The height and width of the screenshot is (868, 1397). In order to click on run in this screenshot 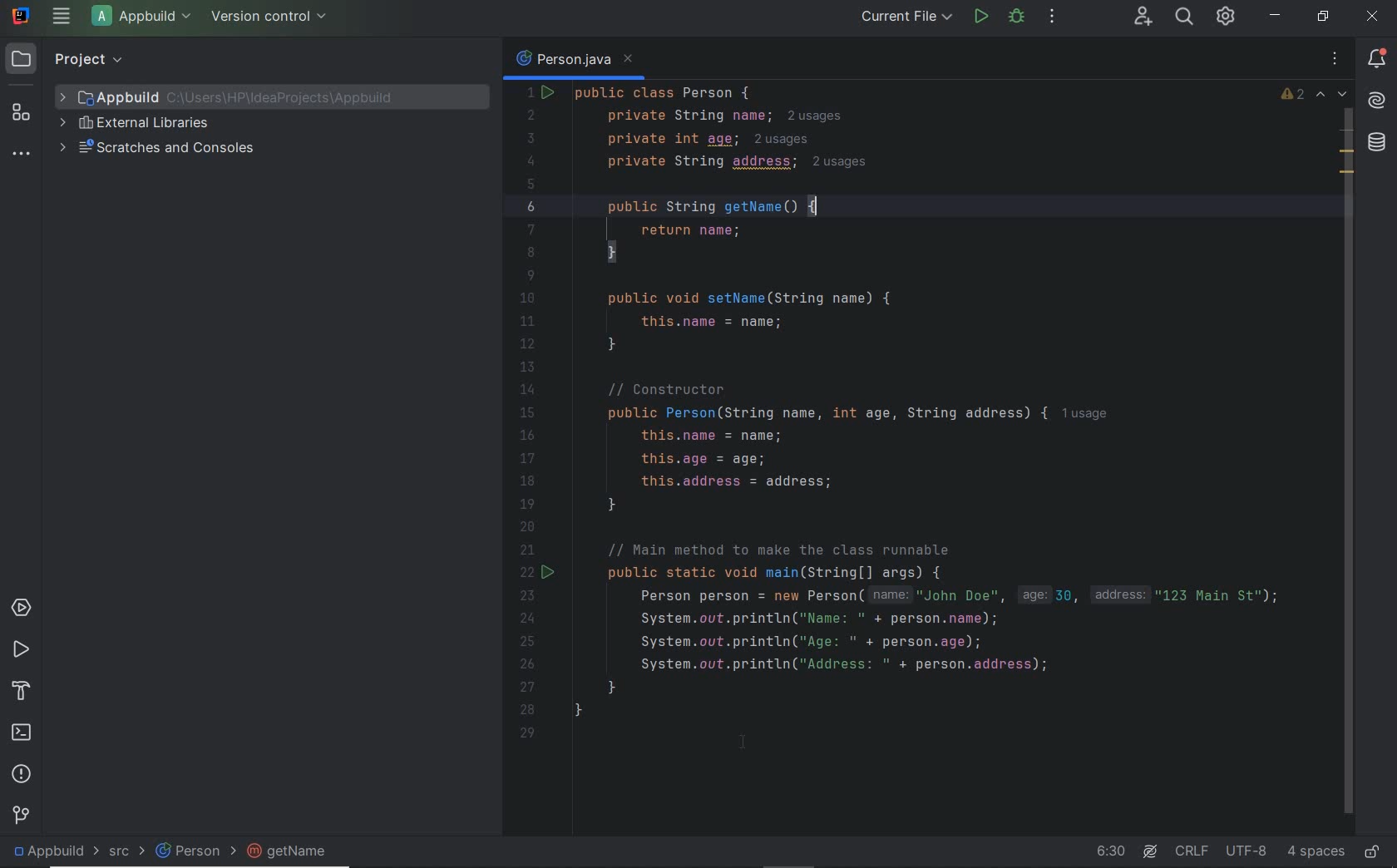, I will do `click(19, 648)`.